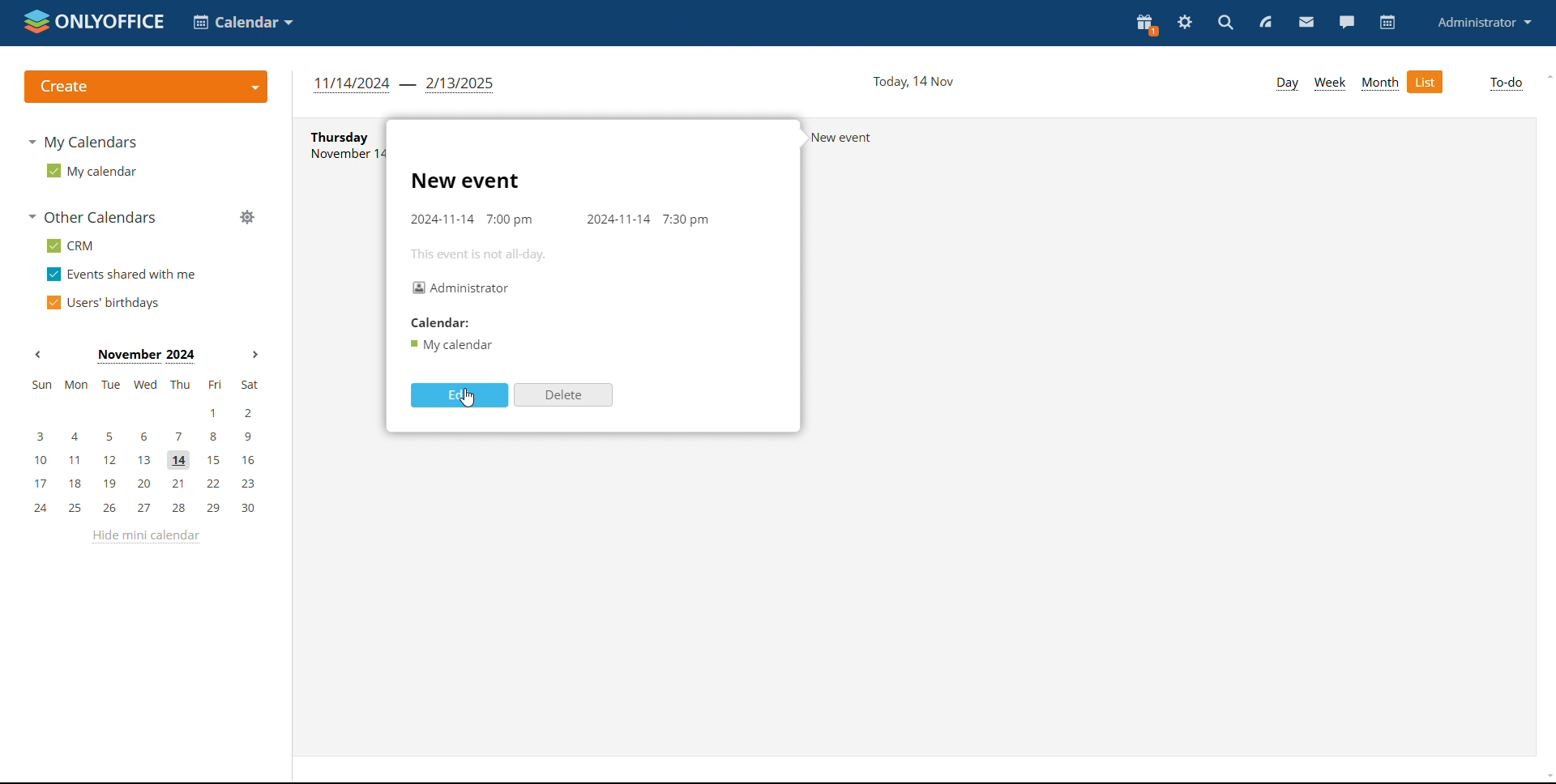 Image resolution: width=1556 pixels, height=784 pixels. Describe the element at coordinates (1266, 23) in the screenshot. I see `feed` at that location.